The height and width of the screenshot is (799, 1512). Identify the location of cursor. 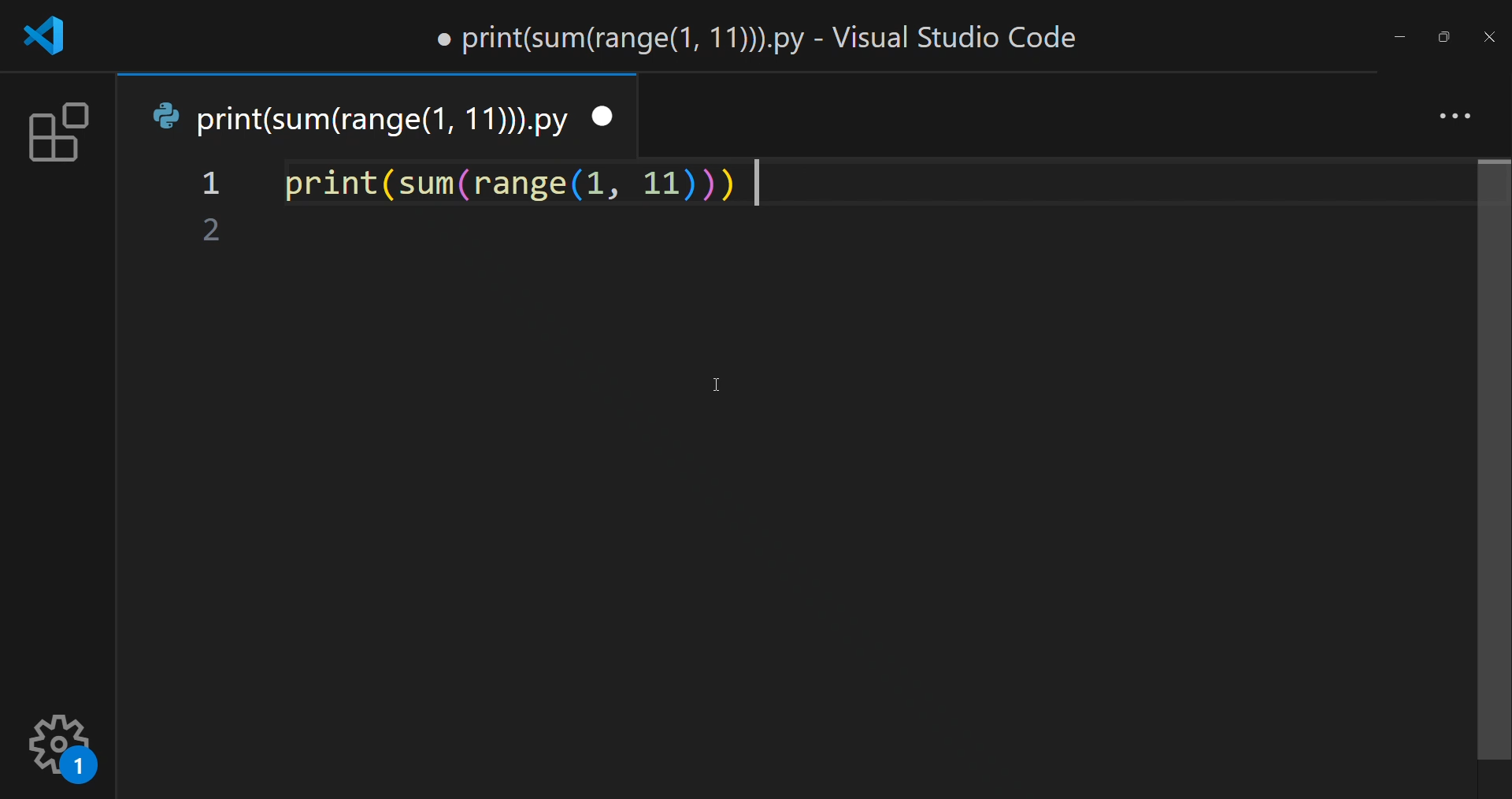
(718, 383).